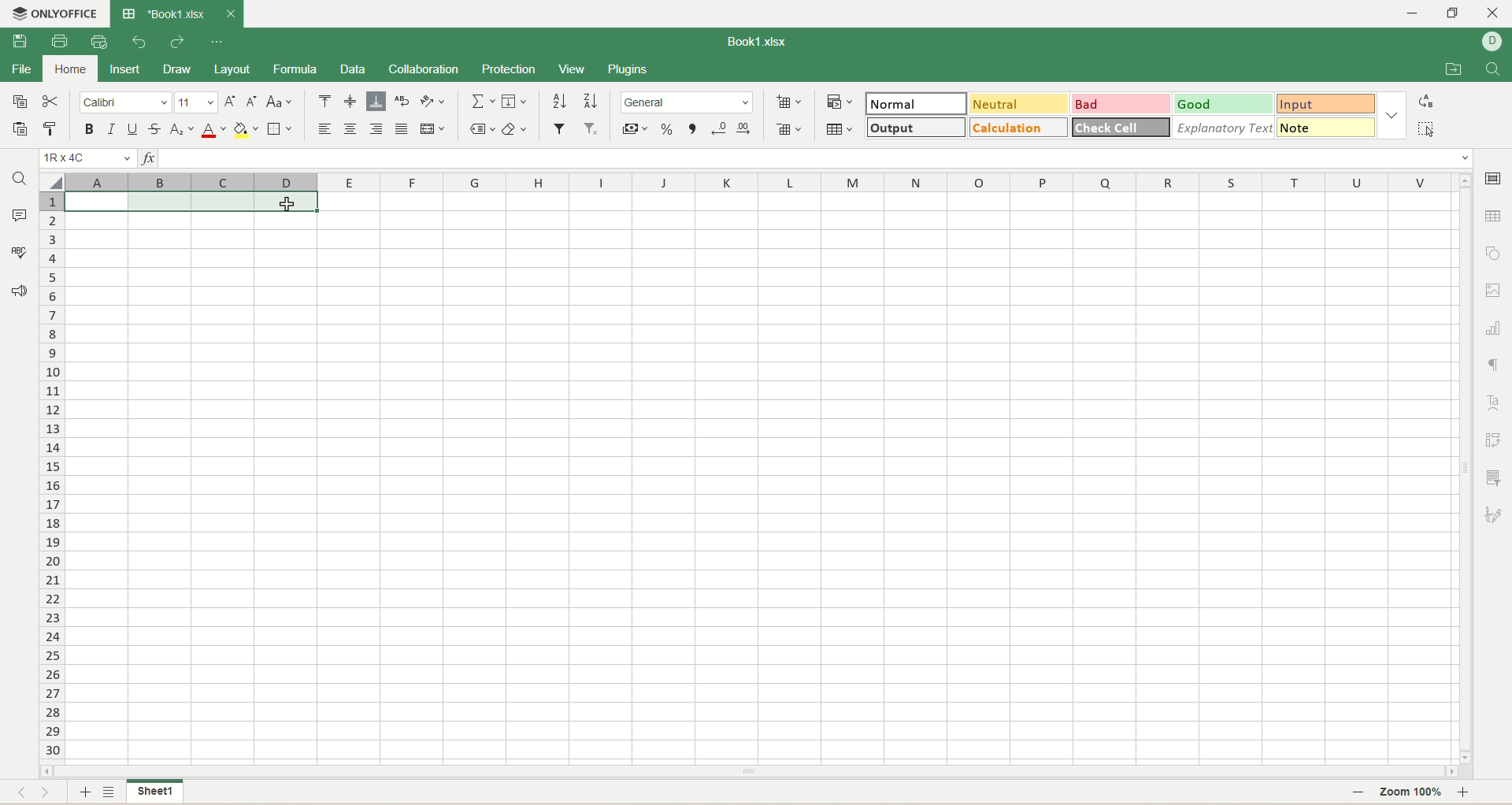  What do you see at coordinates (1123, 104) in the screenshot?
I see `bad` at bounding box center [1123, 104].